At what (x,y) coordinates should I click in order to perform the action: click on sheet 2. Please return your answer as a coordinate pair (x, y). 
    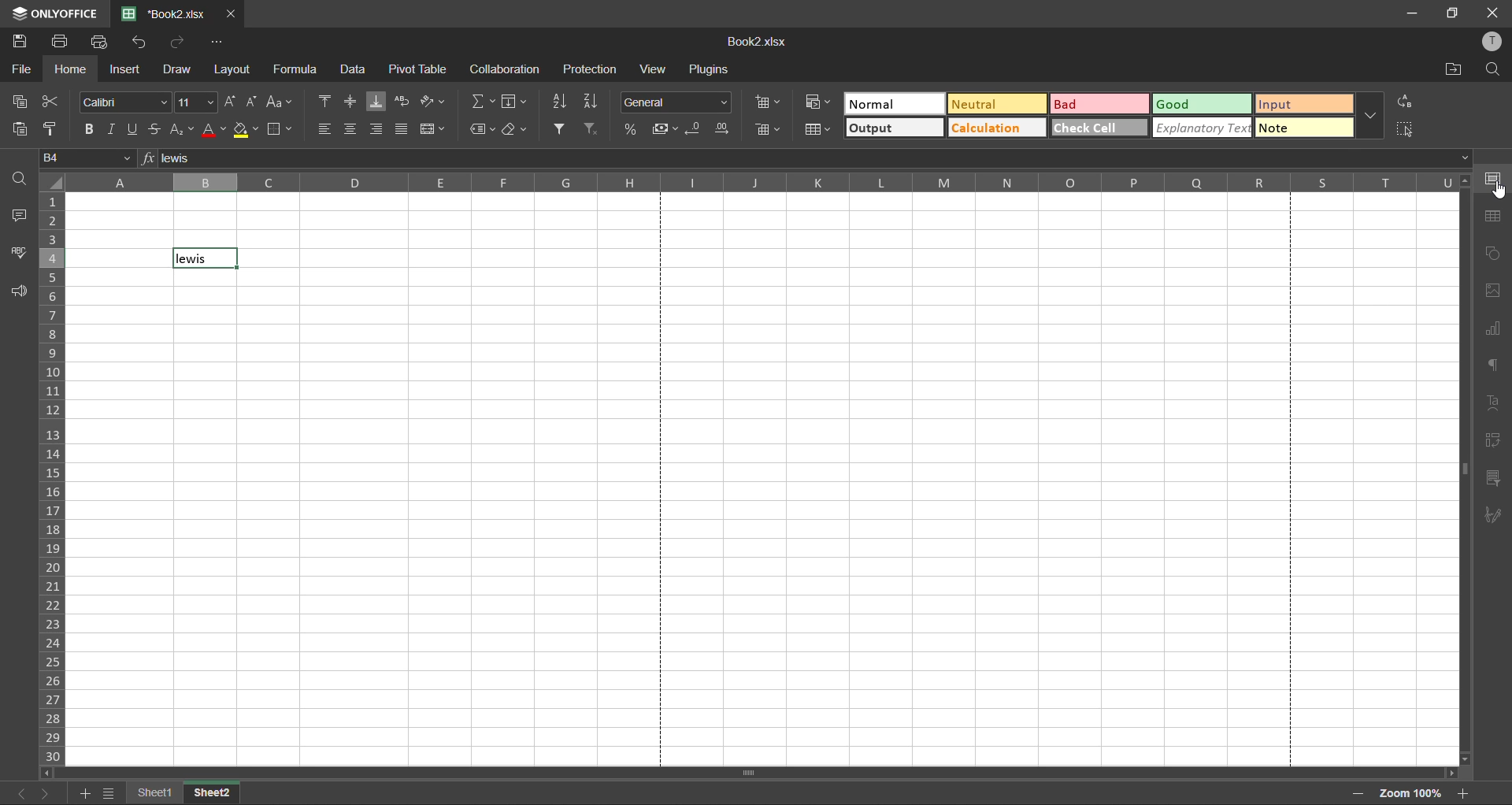
    Looking at the image, I should click on (217, 793).